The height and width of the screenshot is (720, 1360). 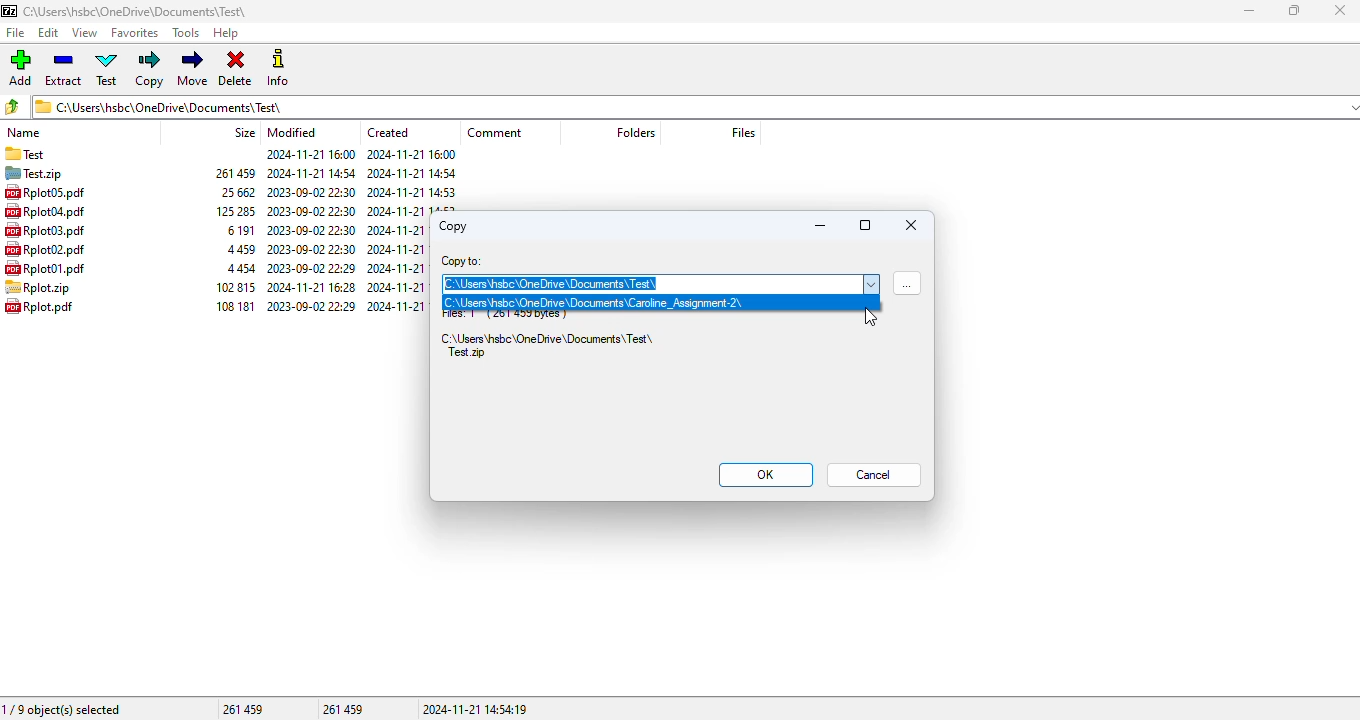 I want to click on C:\Users\hsbc\OneDrive\Documents\Test\Test.zip, so click(x=547, y=346).